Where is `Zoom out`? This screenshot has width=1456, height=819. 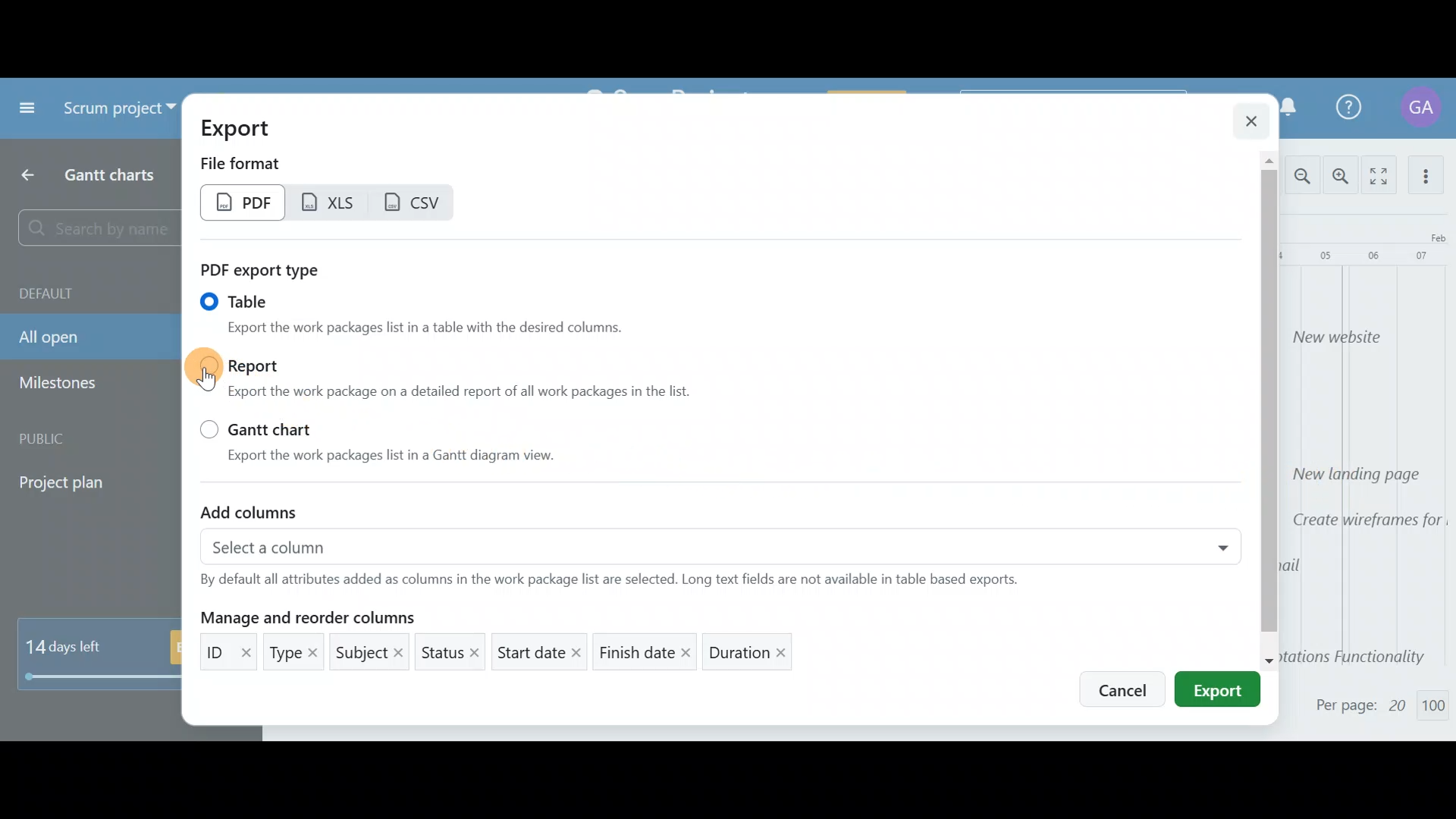
Zoom out is located at coordinates (1305, 177).